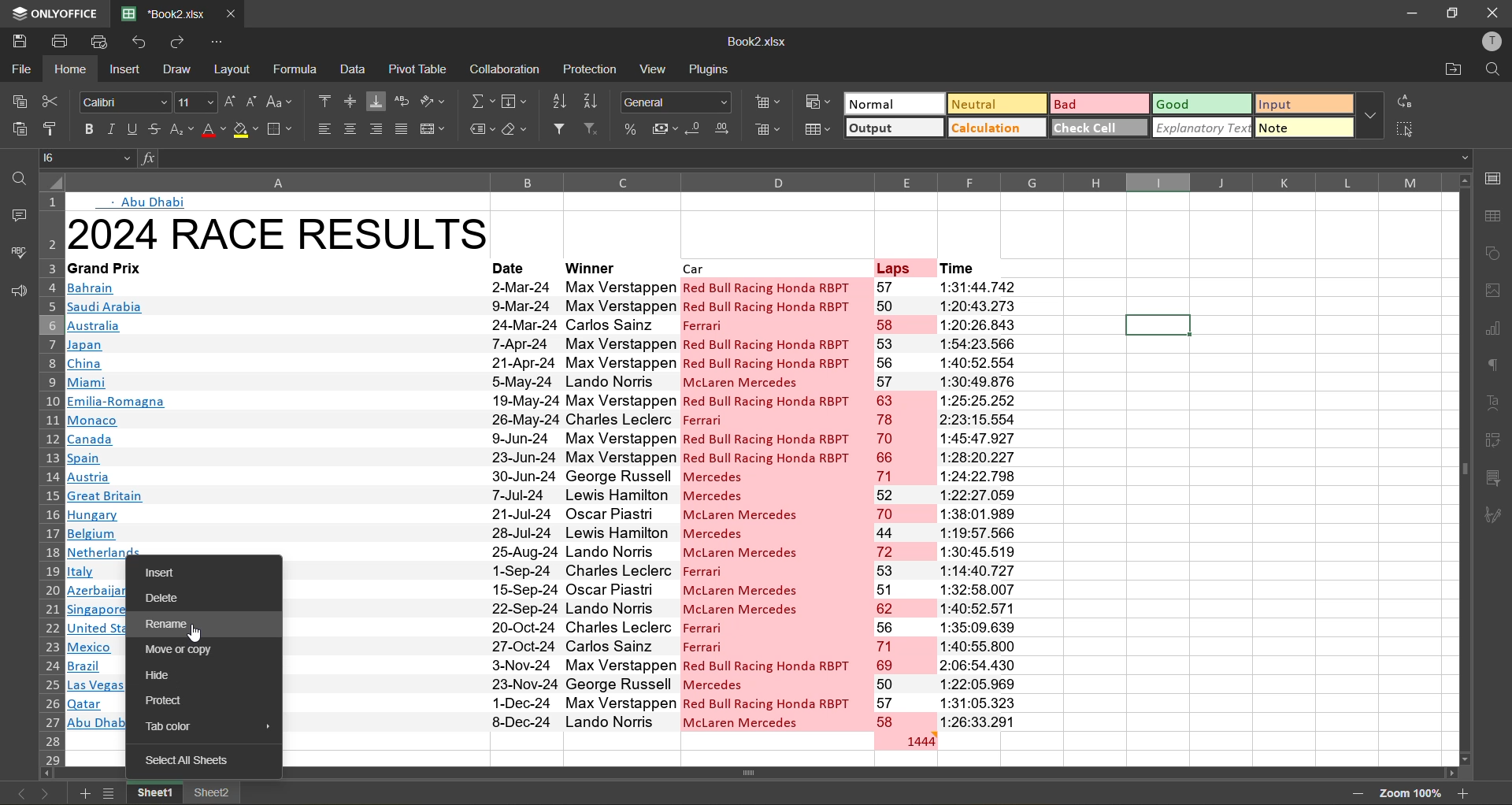 The image size is (1512, 805). I want to click on call settings, so click(1496, 179).